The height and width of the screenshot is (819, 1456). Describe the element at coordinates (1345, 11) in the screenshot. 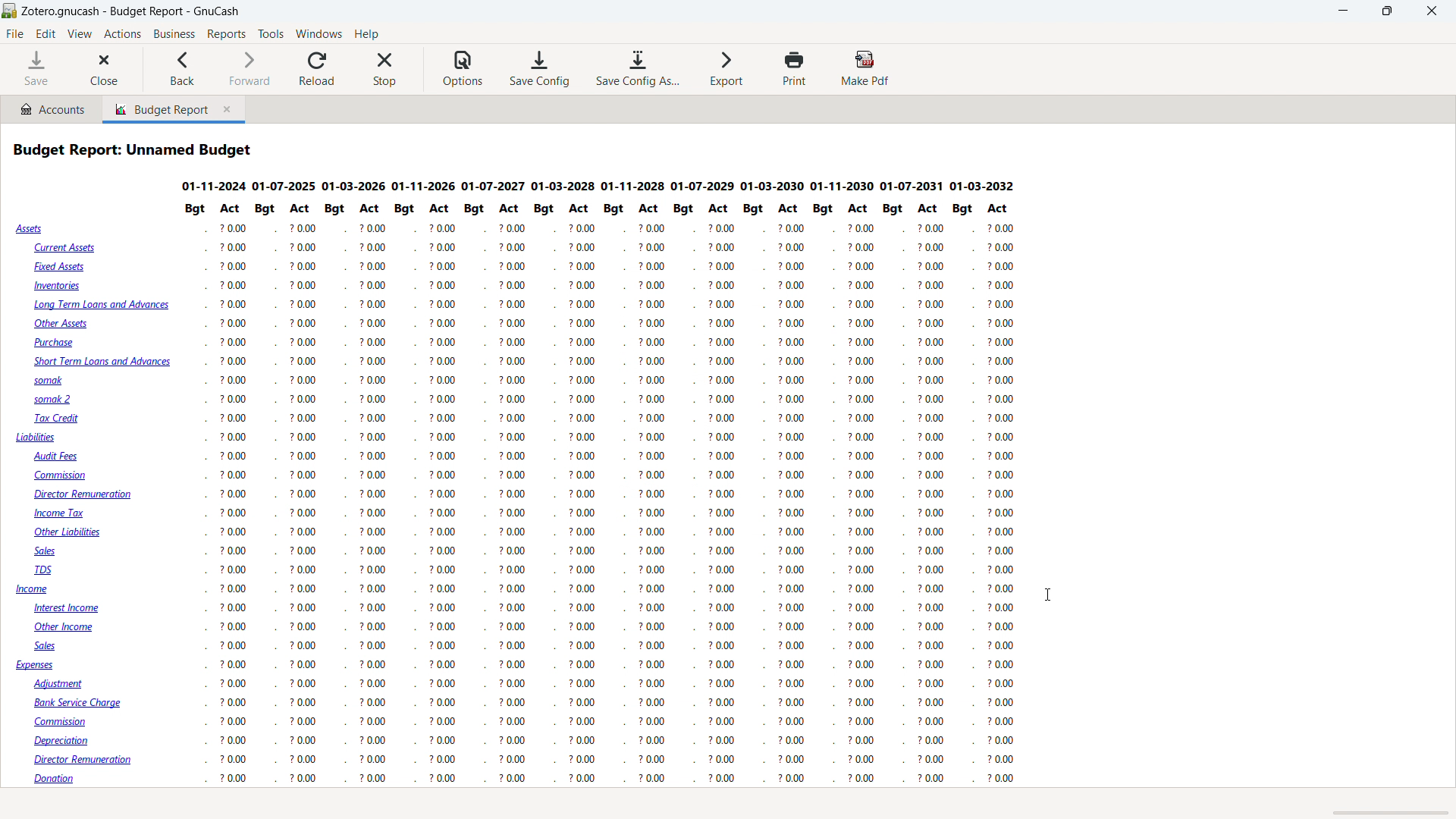

I see `minimize` at that location.